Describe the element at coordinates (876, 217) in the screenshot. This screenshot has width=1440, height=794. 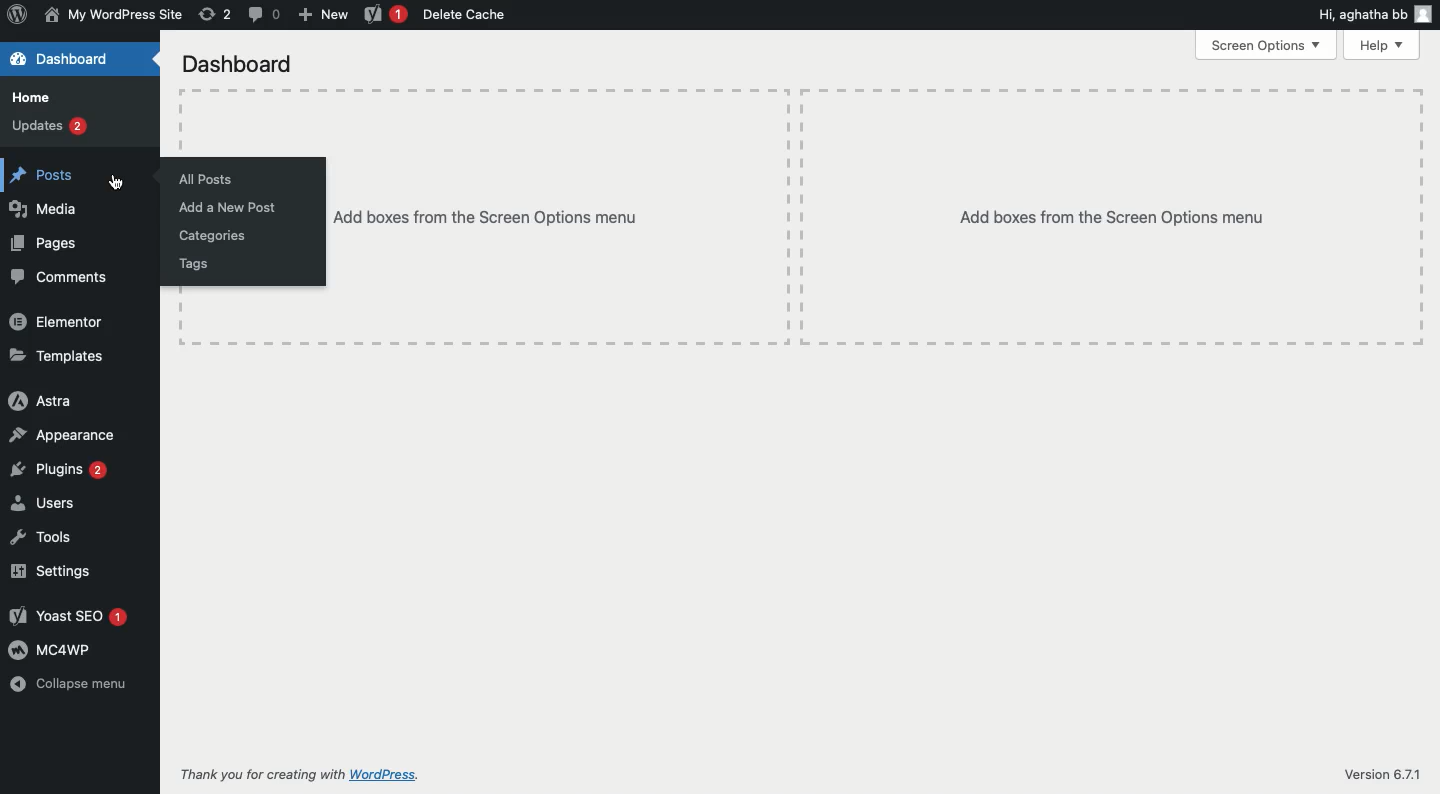
I see `Add boxes from the screen options menu` at that location.